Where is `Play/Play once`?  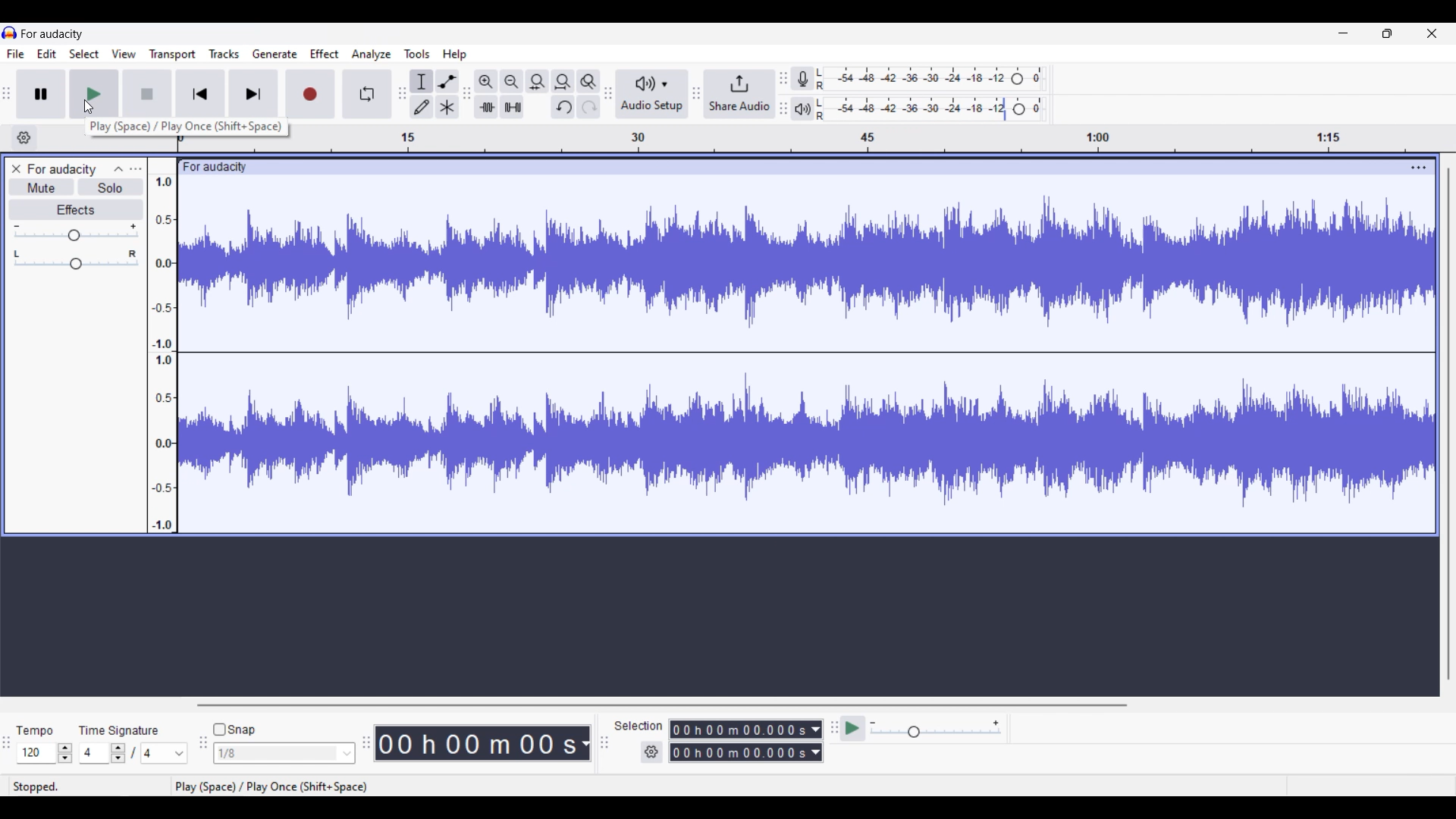
Play/Play once is located at coordinates (94, 94).